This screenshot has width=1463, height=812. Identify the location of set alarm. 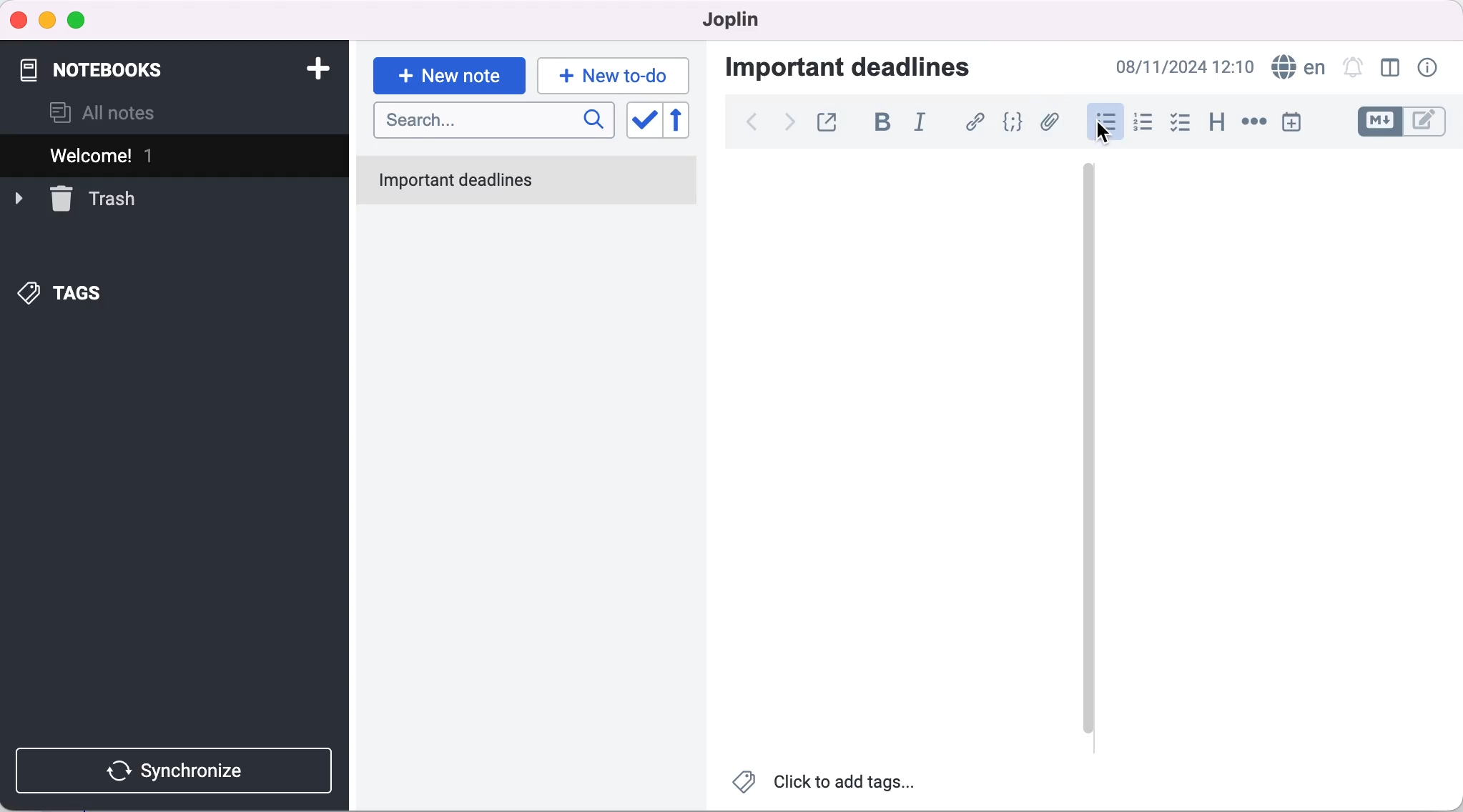
(1349, 69).